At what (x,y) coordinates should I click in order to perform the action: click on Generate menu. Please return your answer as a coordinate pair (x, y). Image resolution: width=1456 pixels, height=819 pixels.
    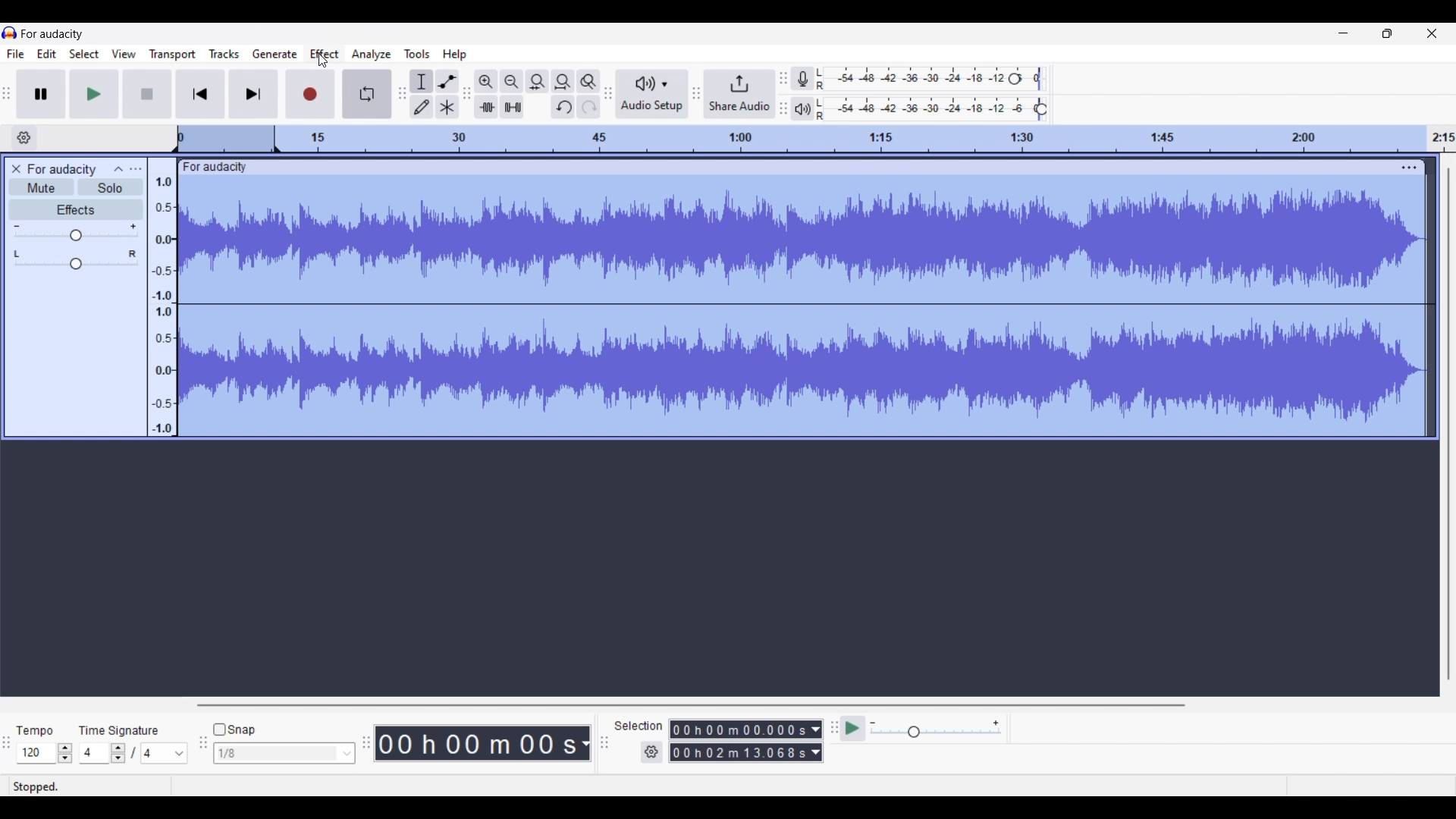
    Looking at the image, I should click on (275, 55).